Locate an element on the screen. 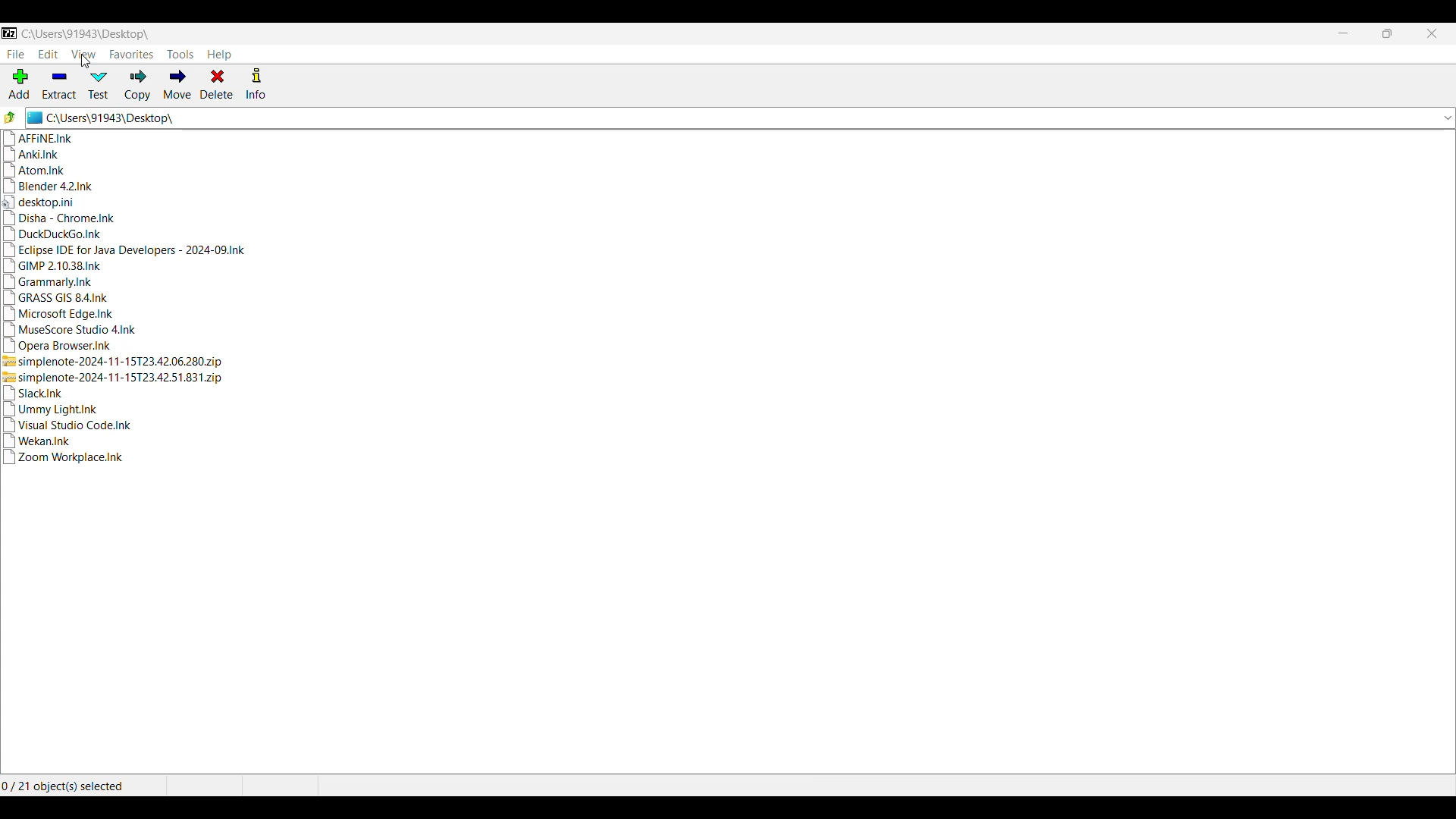 This screenshot has width=1456, height=819. Copy is located at coordinates (138, 86).